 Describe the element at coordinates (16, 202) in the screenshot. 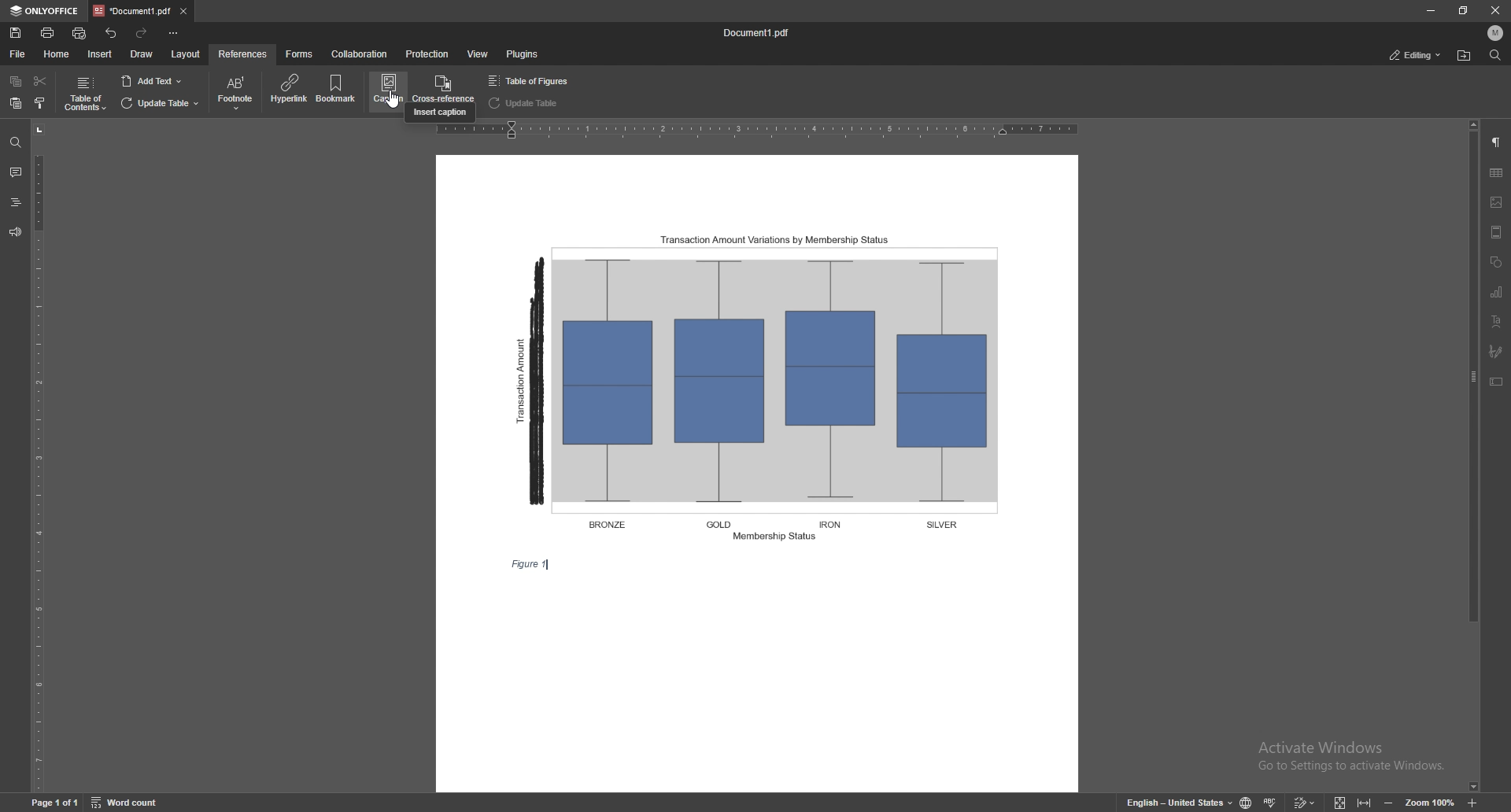

I see `headings` at that location.